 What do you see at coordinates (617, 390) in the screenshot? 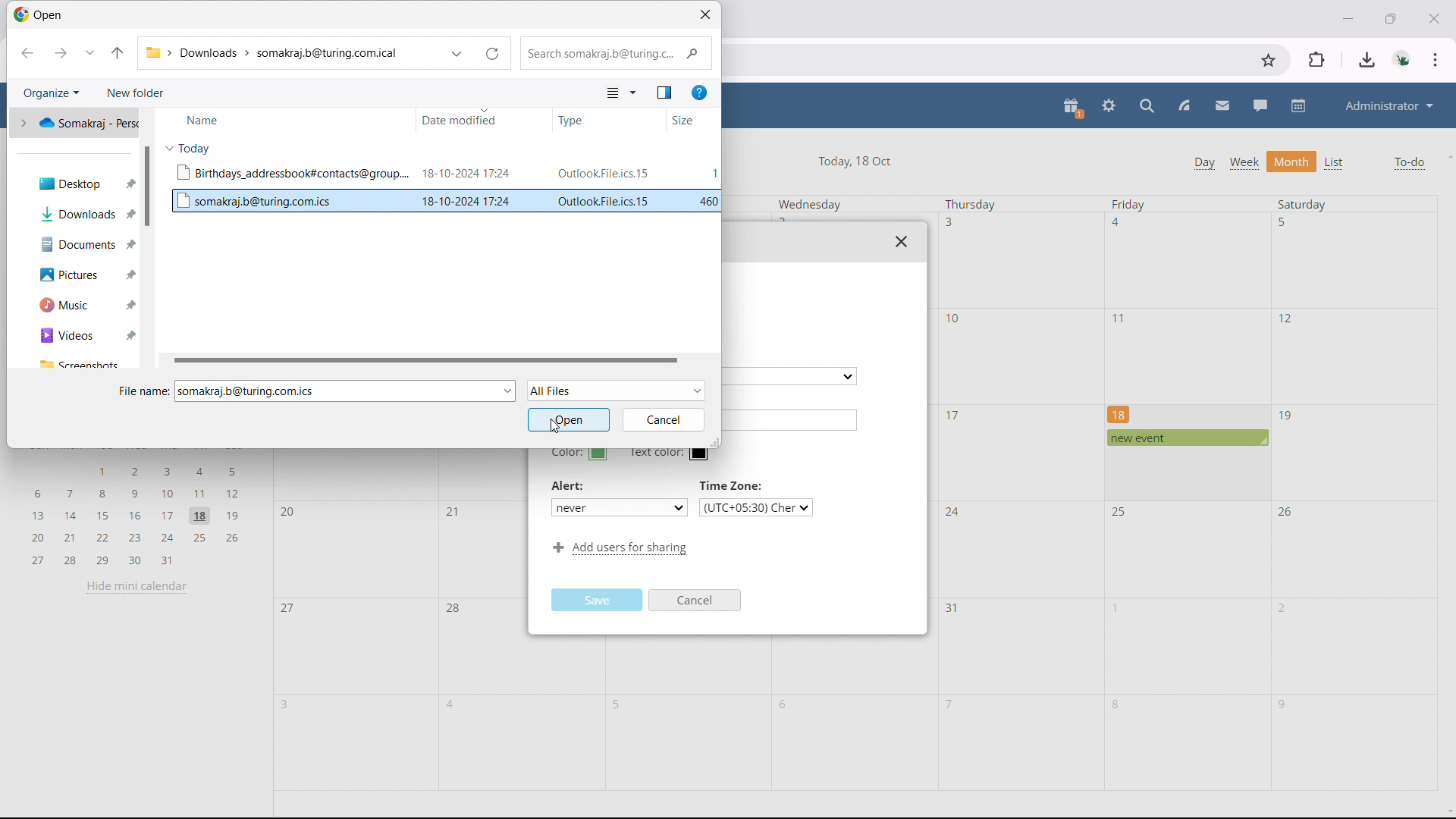
I see `All Files` at bounding box center [617, 390].